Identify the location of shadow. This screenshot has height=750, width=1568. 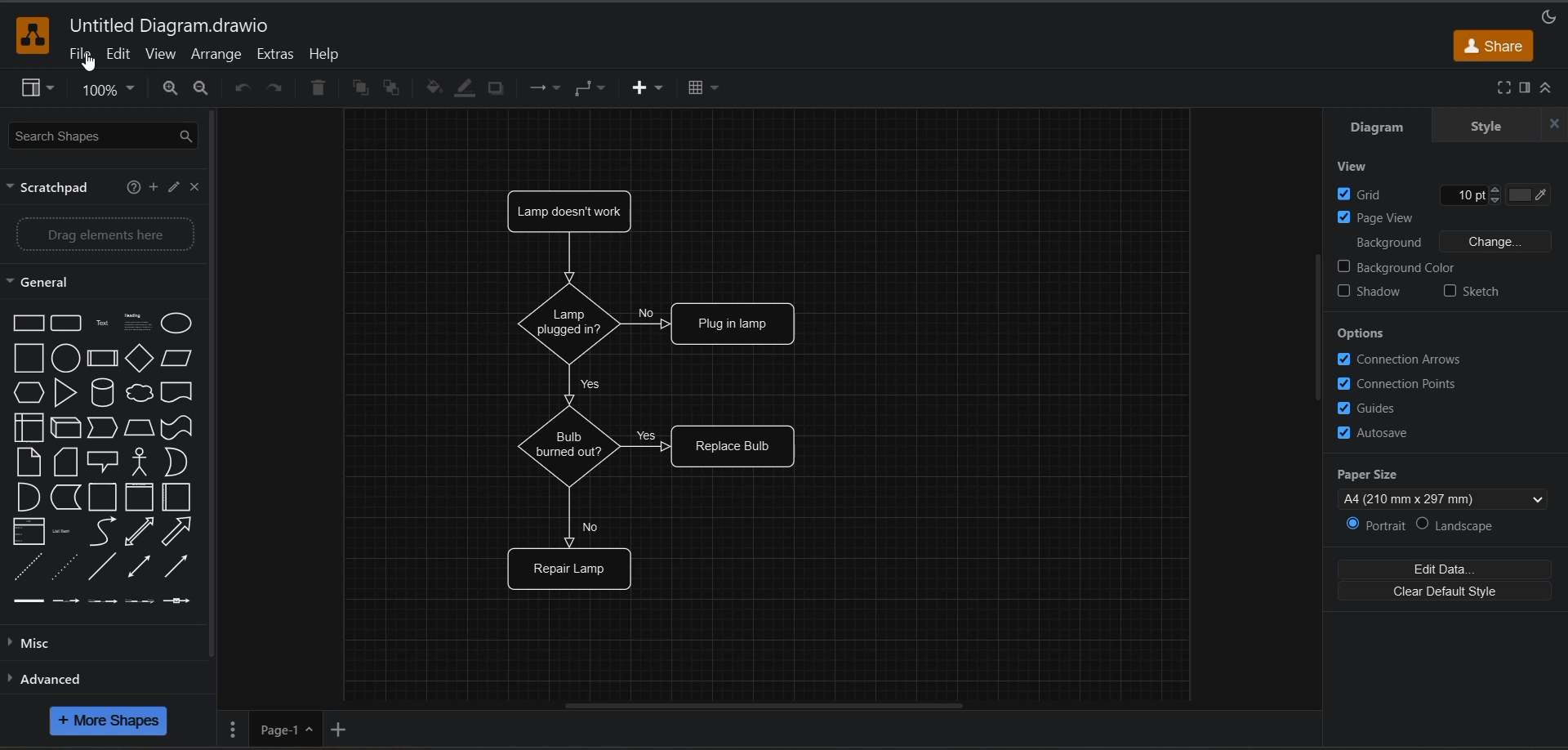
(497, 88).